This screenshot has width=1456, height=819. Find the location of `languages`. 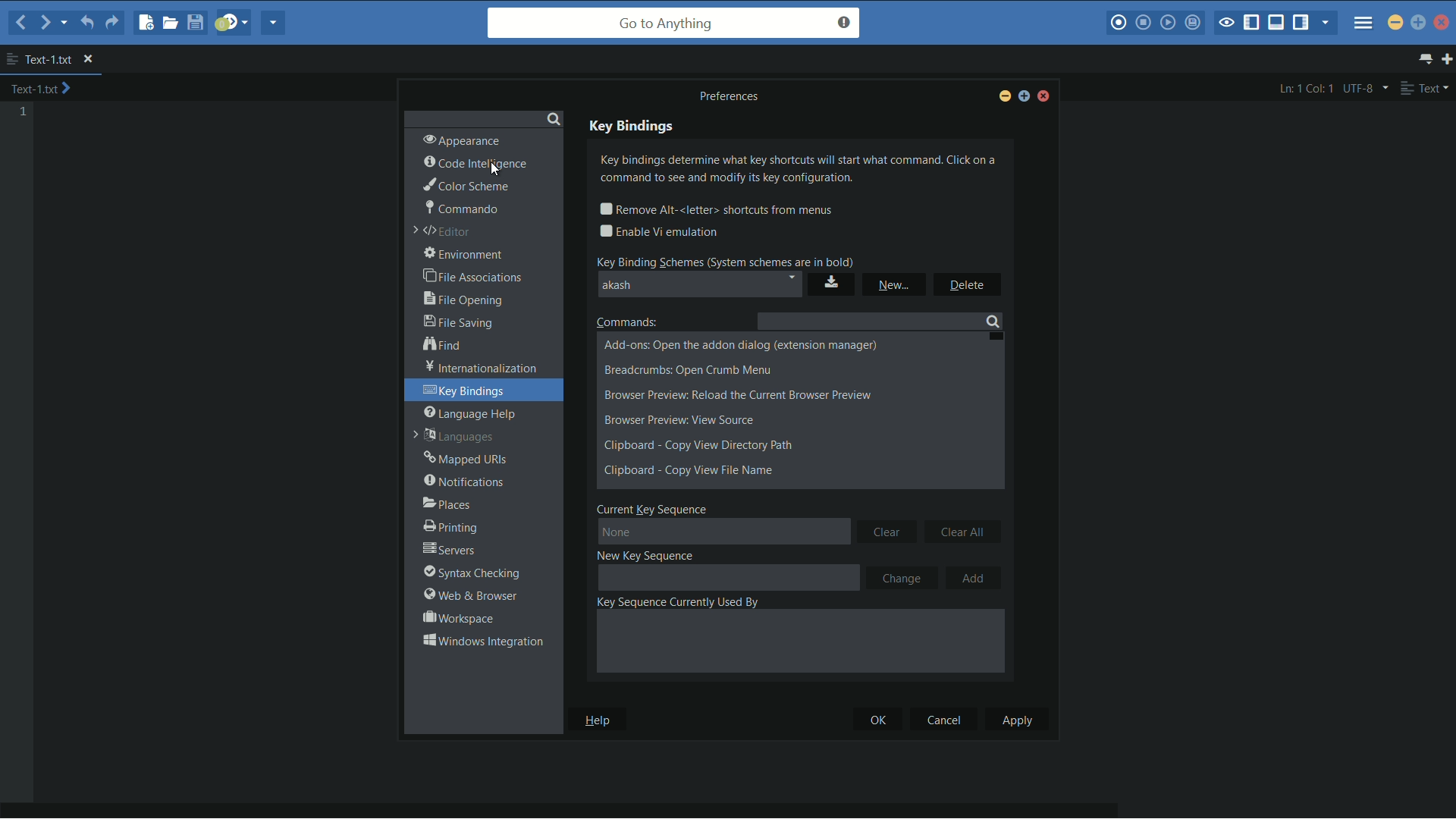

languages is located at coordinates (456, 438).